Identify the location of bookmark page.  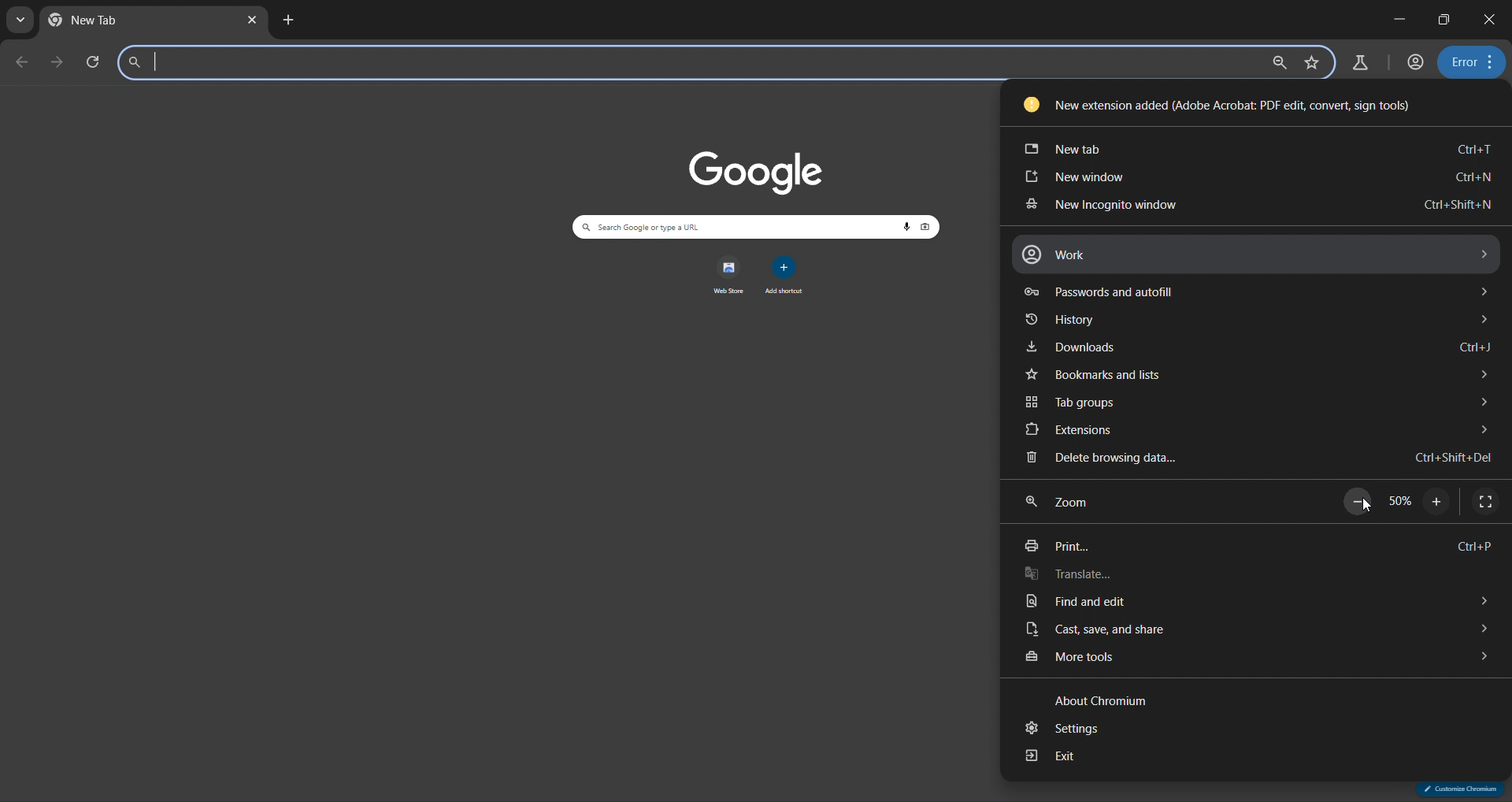
(1314, 64).